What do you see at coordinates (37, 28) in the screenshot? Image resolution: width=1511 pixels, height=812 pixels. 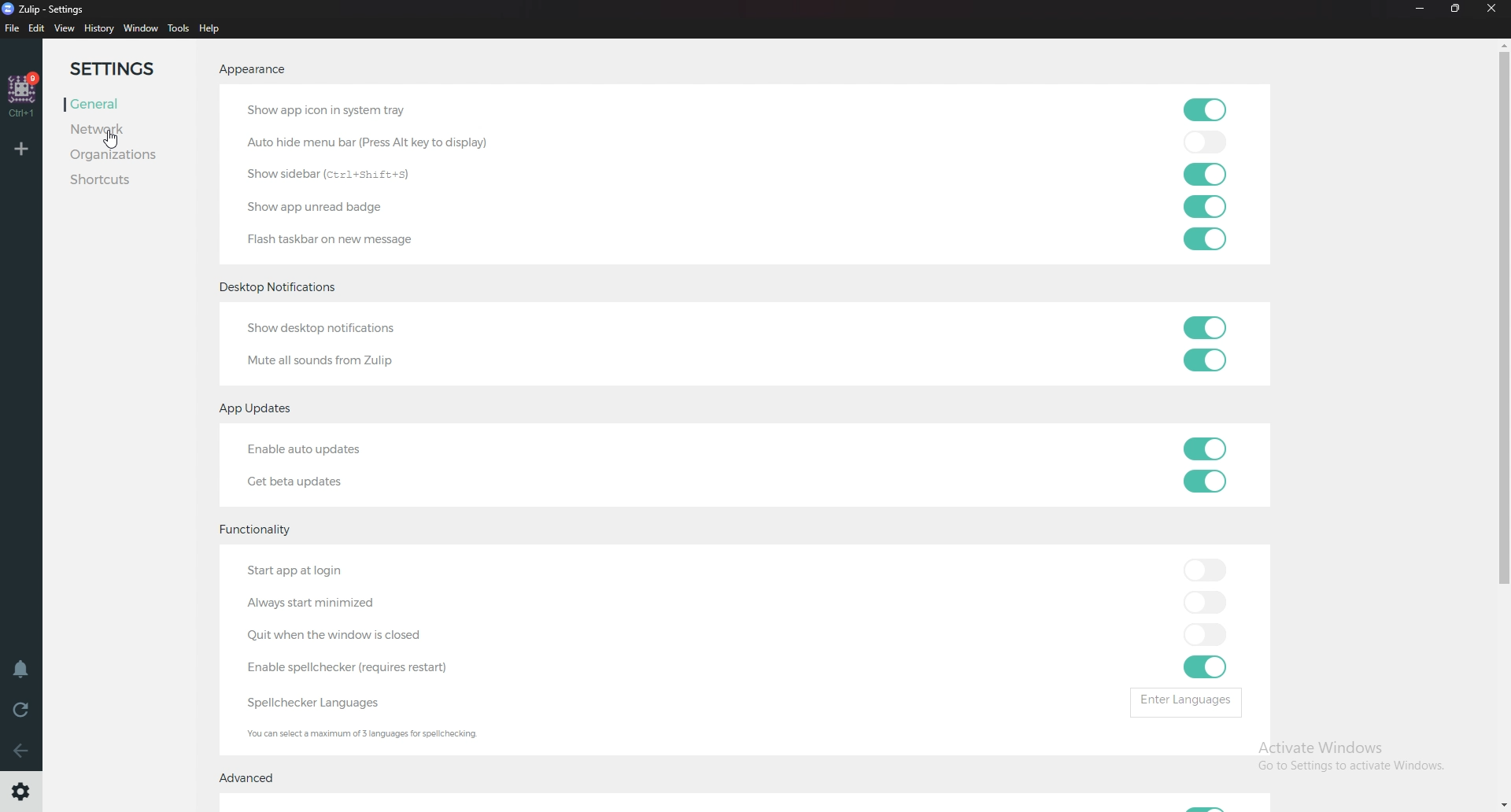 I see `edit` at bounding box center [37, 28].